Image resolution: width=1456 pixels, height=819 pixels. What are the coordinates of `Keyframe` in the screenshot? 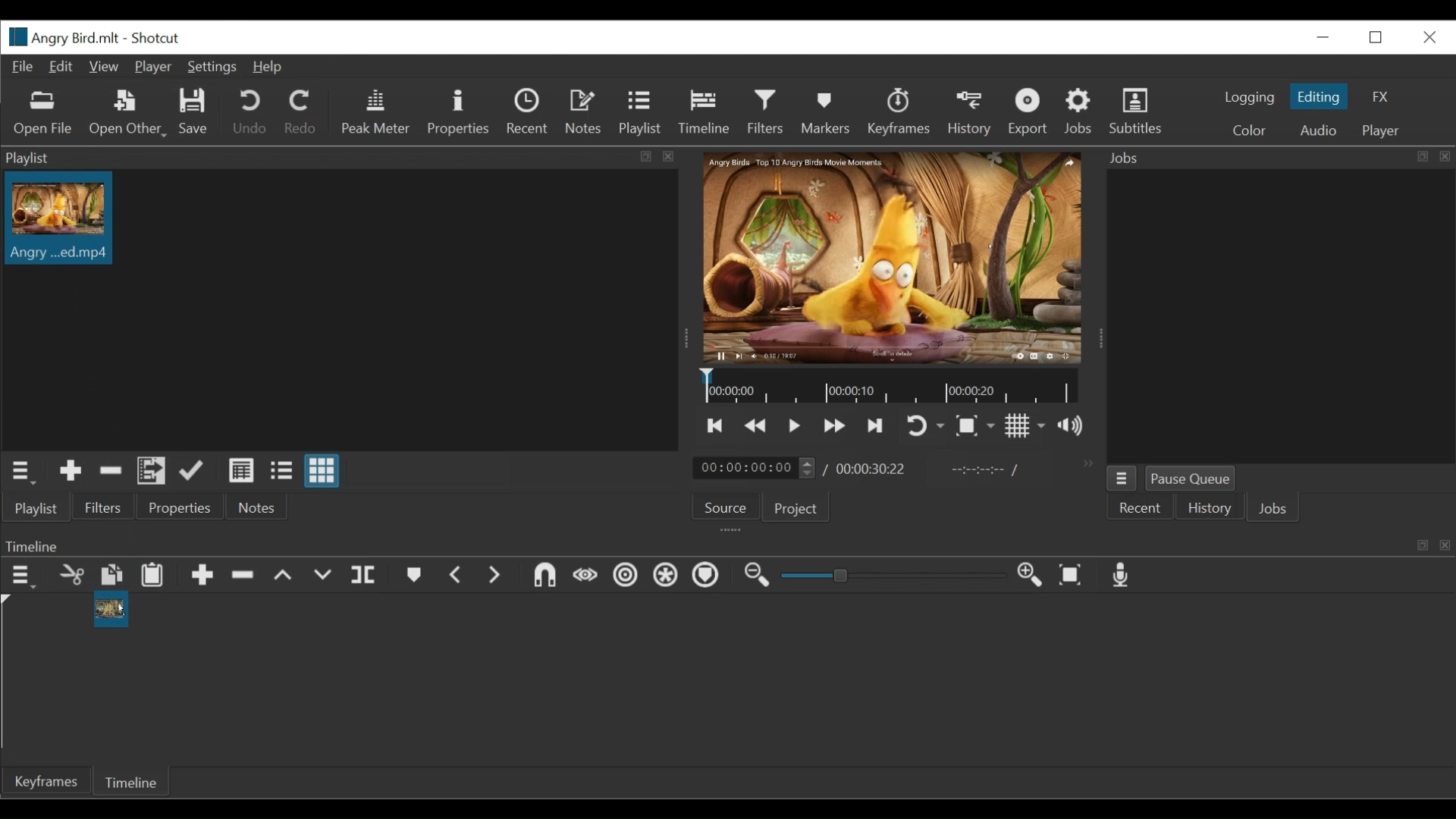 It's located at (42, 782).